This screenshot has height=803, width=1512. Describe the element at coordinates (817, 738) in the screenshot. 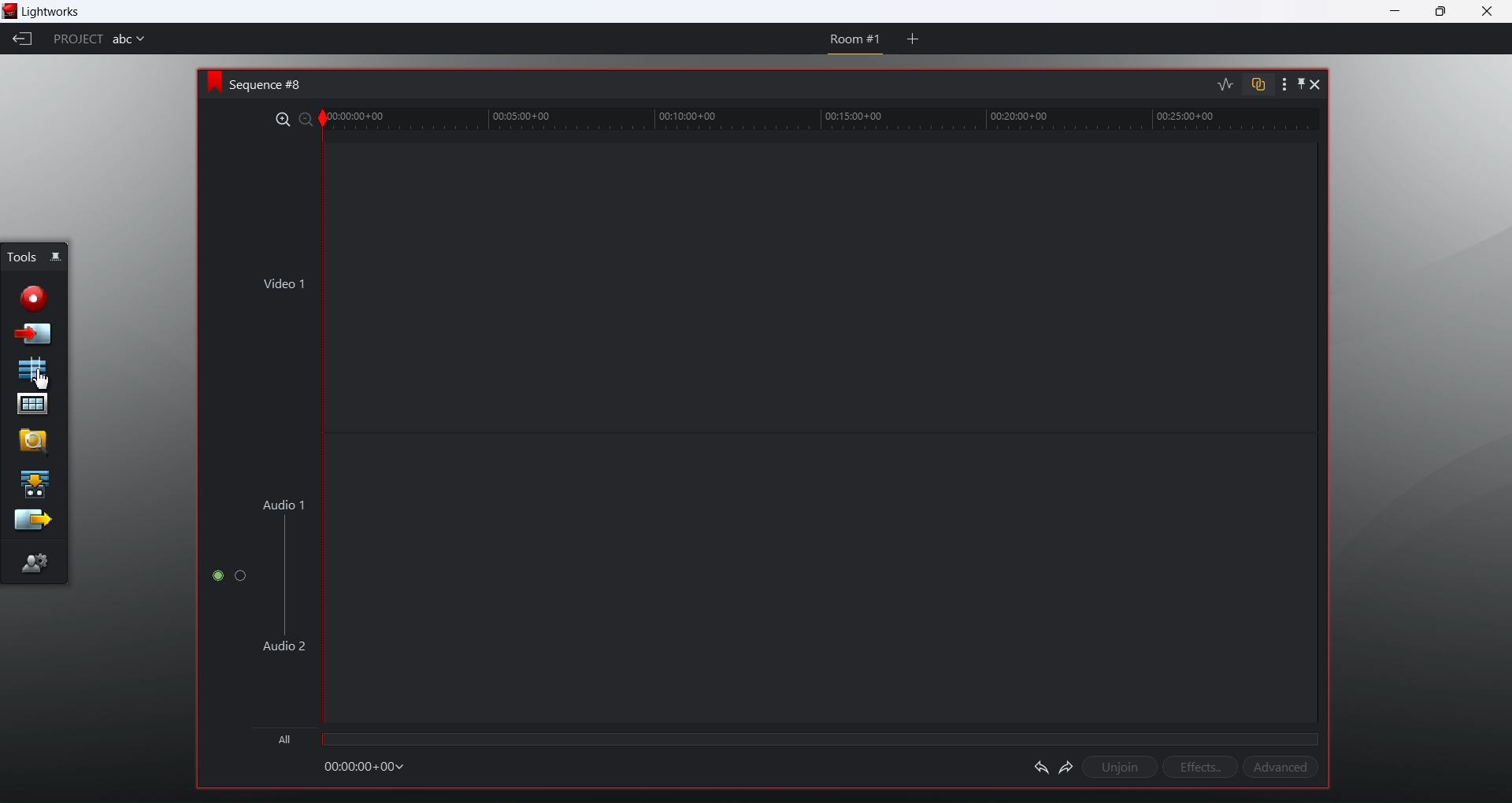

I see `video/audio progress` at that location.